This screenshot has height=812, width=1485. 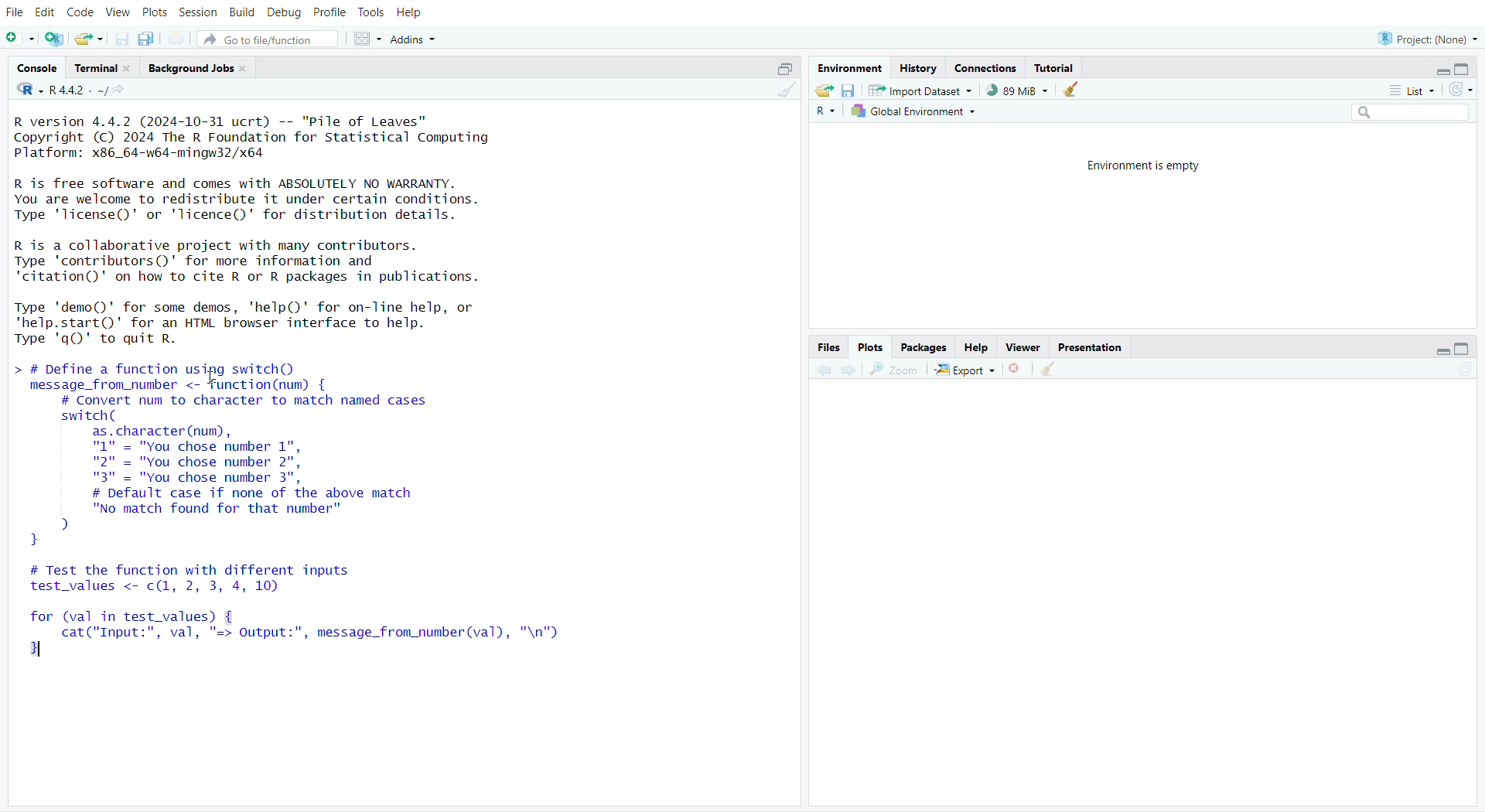 I want to click on Profile, so click(x=329, y=13).